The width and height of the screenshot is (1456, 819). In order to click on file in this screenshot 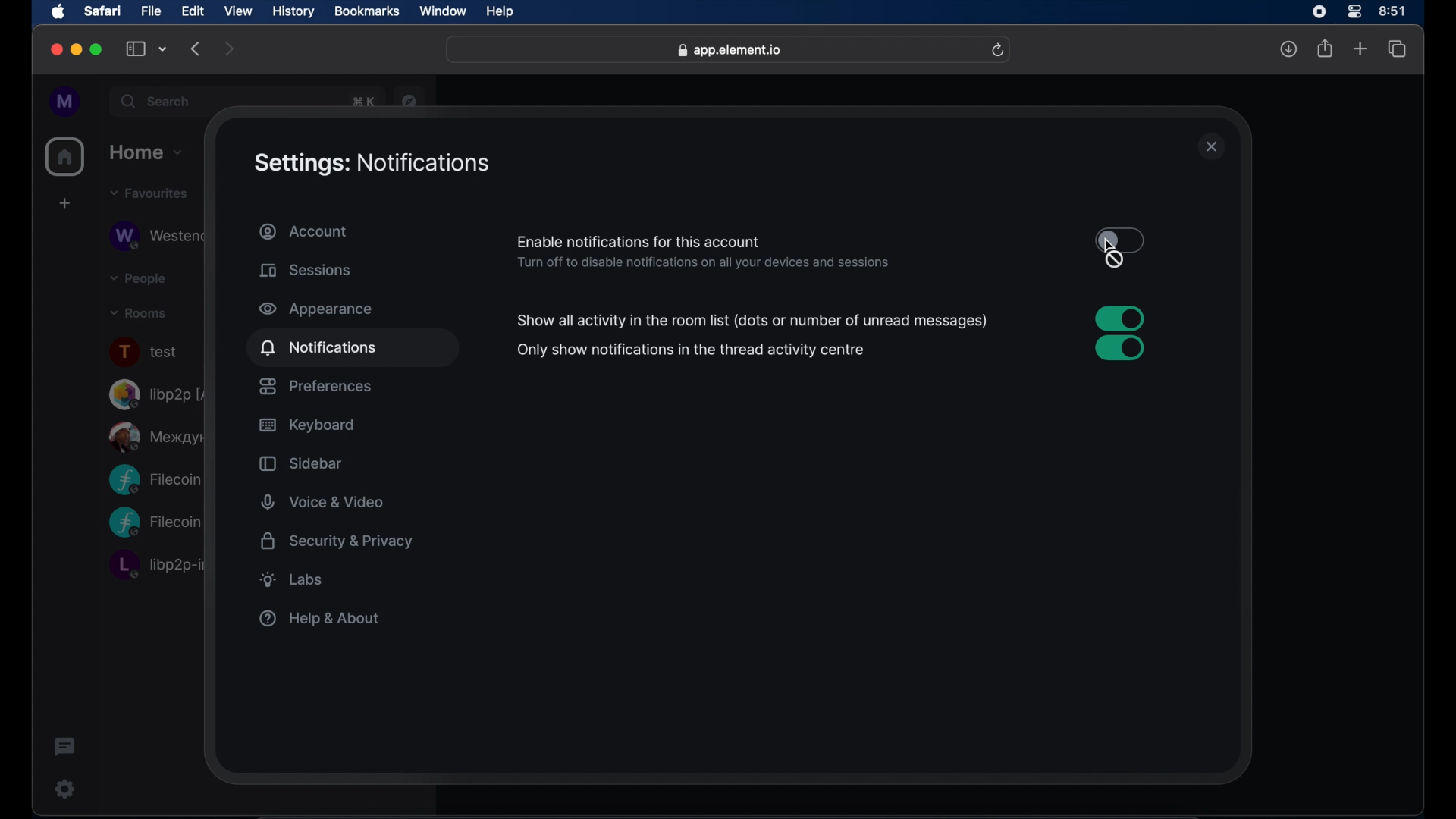, I will do `click(154, 12)`.